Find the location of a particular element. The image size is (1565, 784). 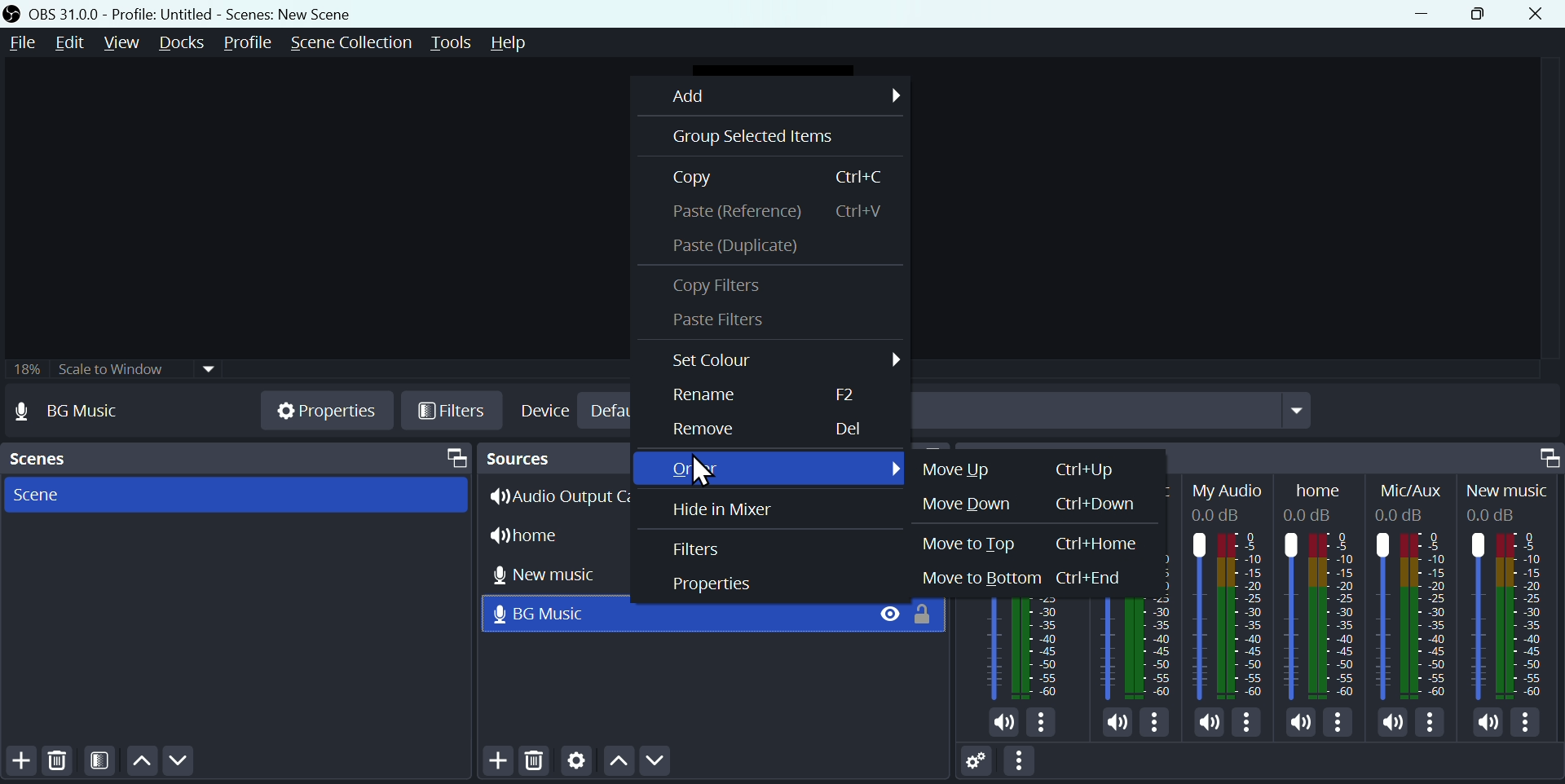

New music is located at coordinates (561, 572).